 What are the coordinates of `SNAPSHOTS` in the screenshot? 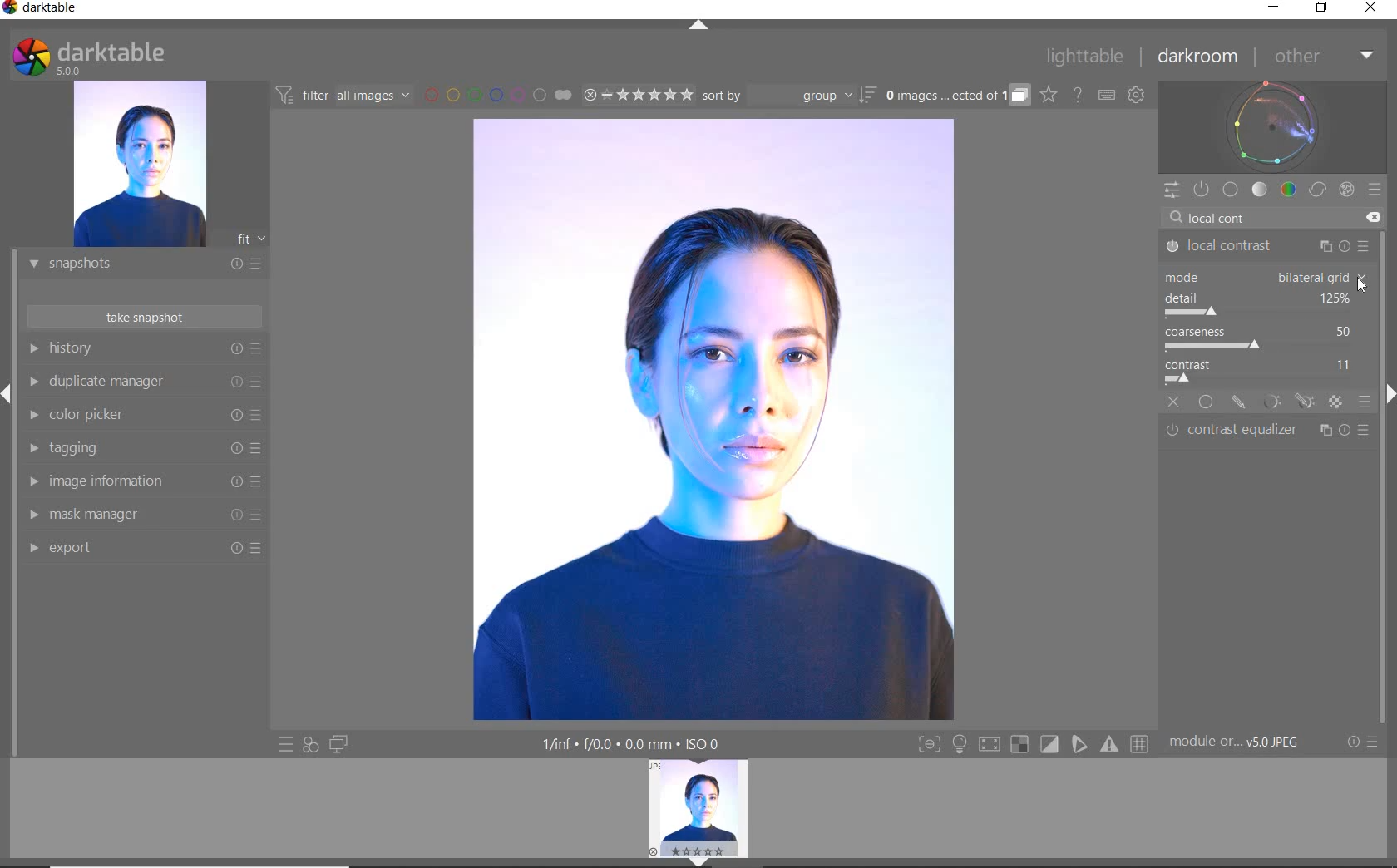 It's located at (138, 265).